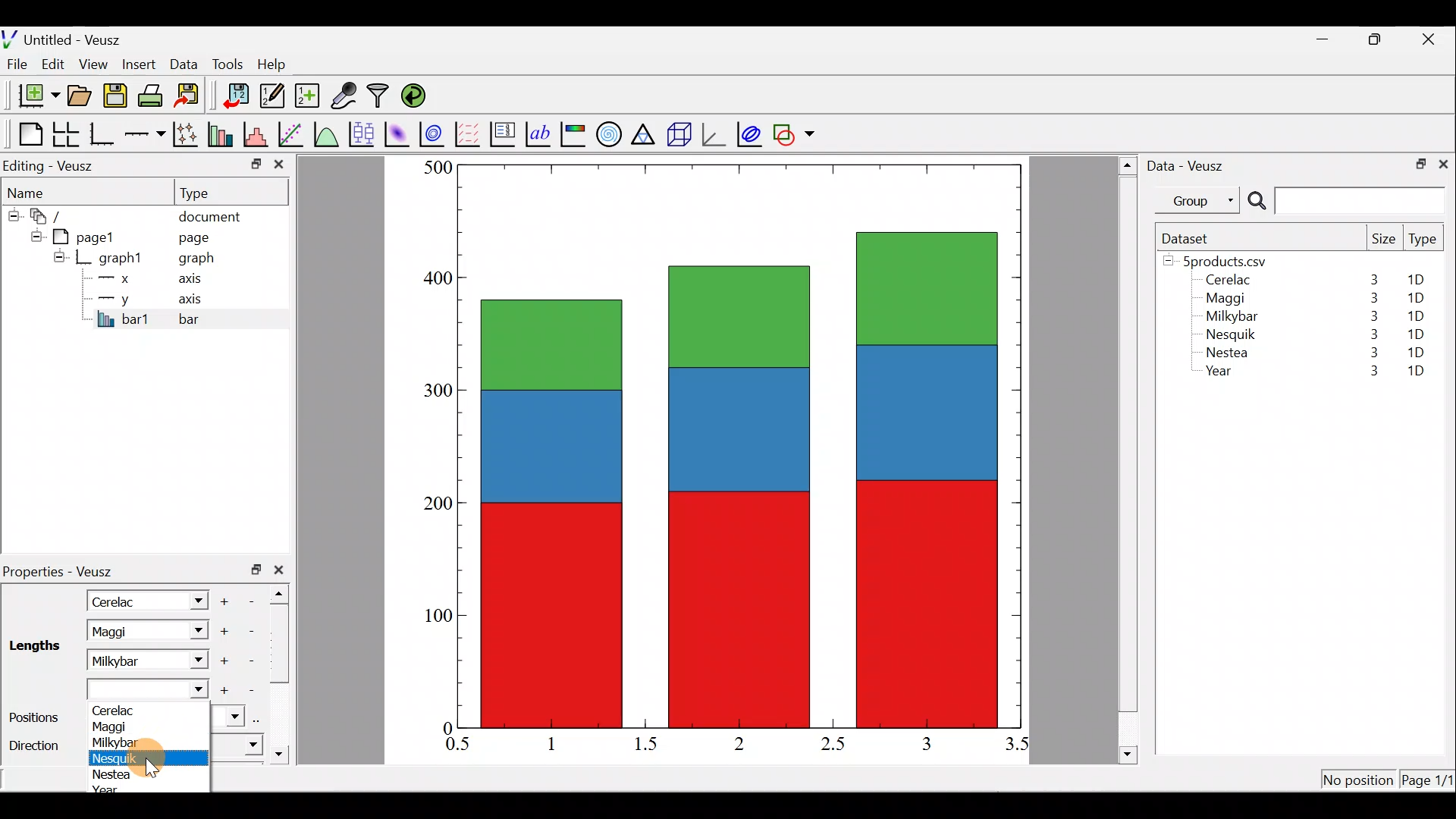  I want to click on Page 1/11, so click(1429, 783).